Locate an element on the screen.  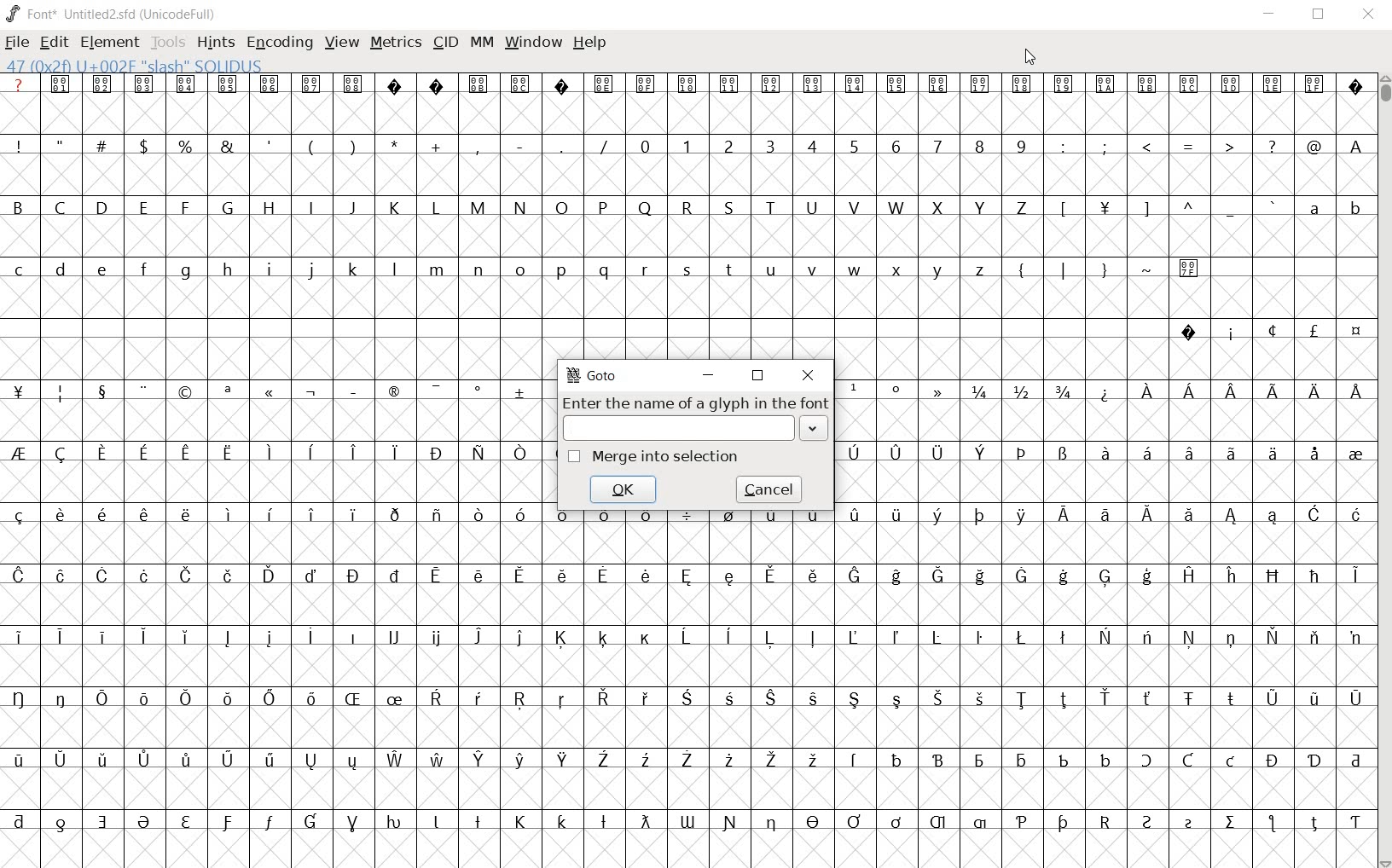
FONT* UNTITLED2.SFD (UNICODEFULL) is located at coordinates (111, 13).